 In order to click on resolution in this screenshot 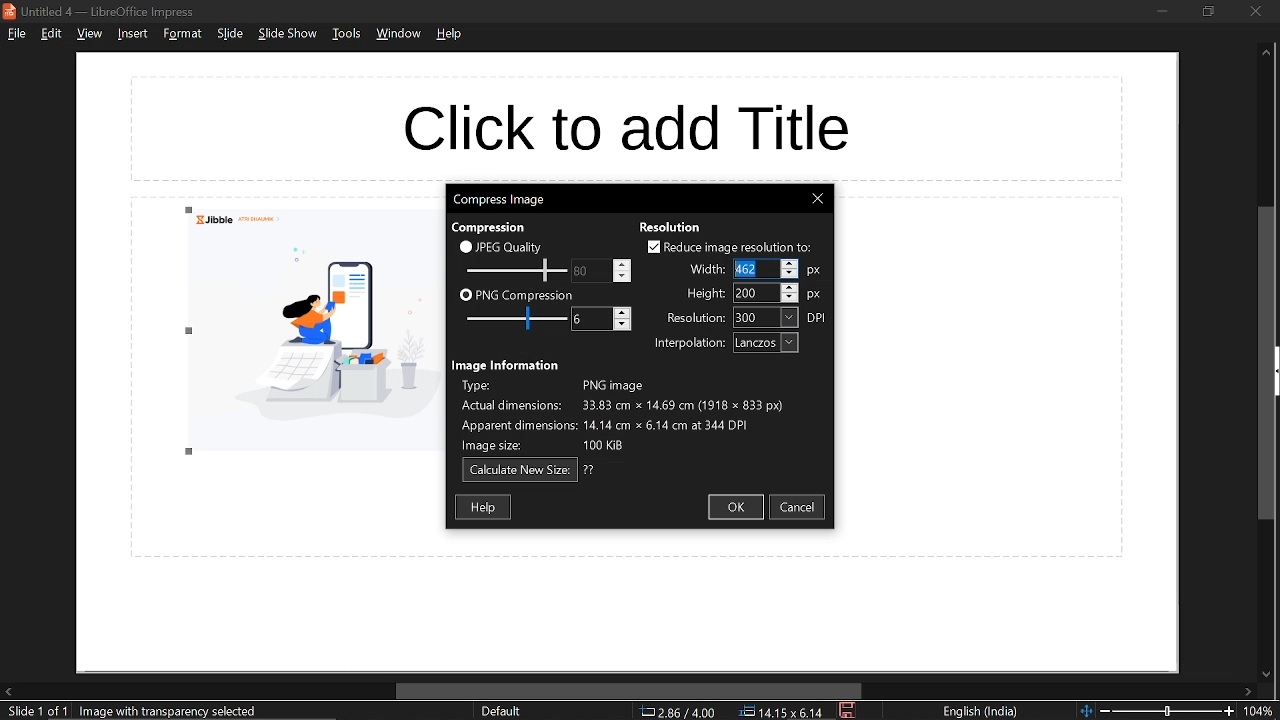, I will do `click(671, 227)`.